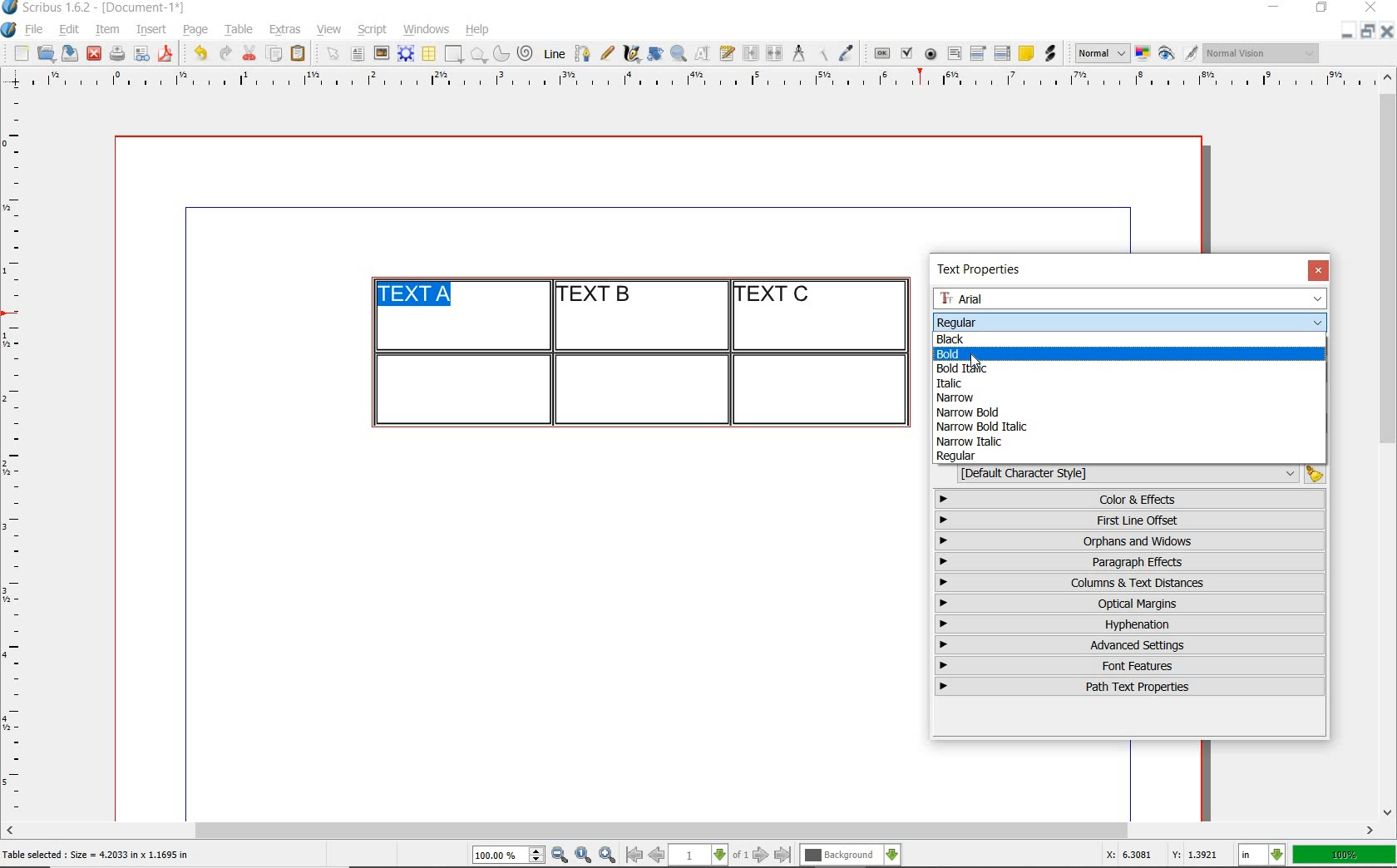  What do you see at coordinates (931, 56) in the screenshot?
I see `pdf radio button` at bounding box center [931, 56].